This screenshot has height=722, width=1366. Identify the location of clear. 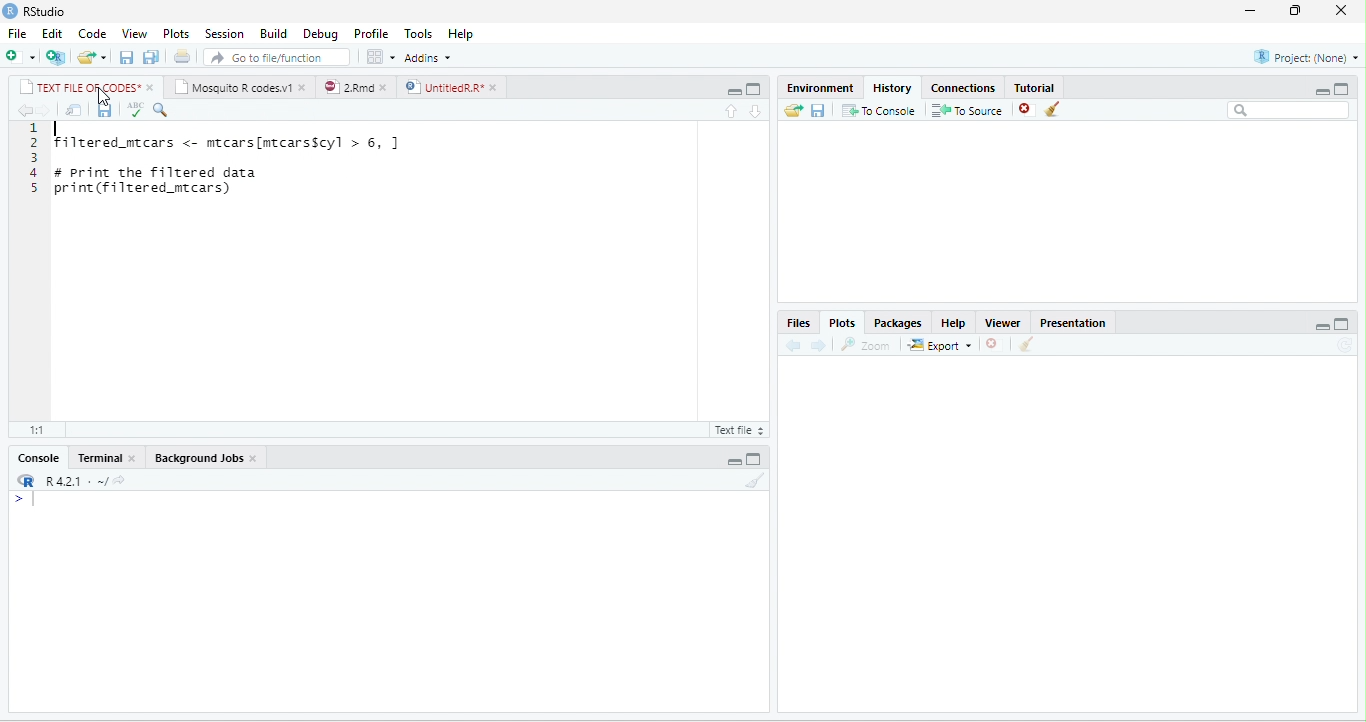
(1053, 108).